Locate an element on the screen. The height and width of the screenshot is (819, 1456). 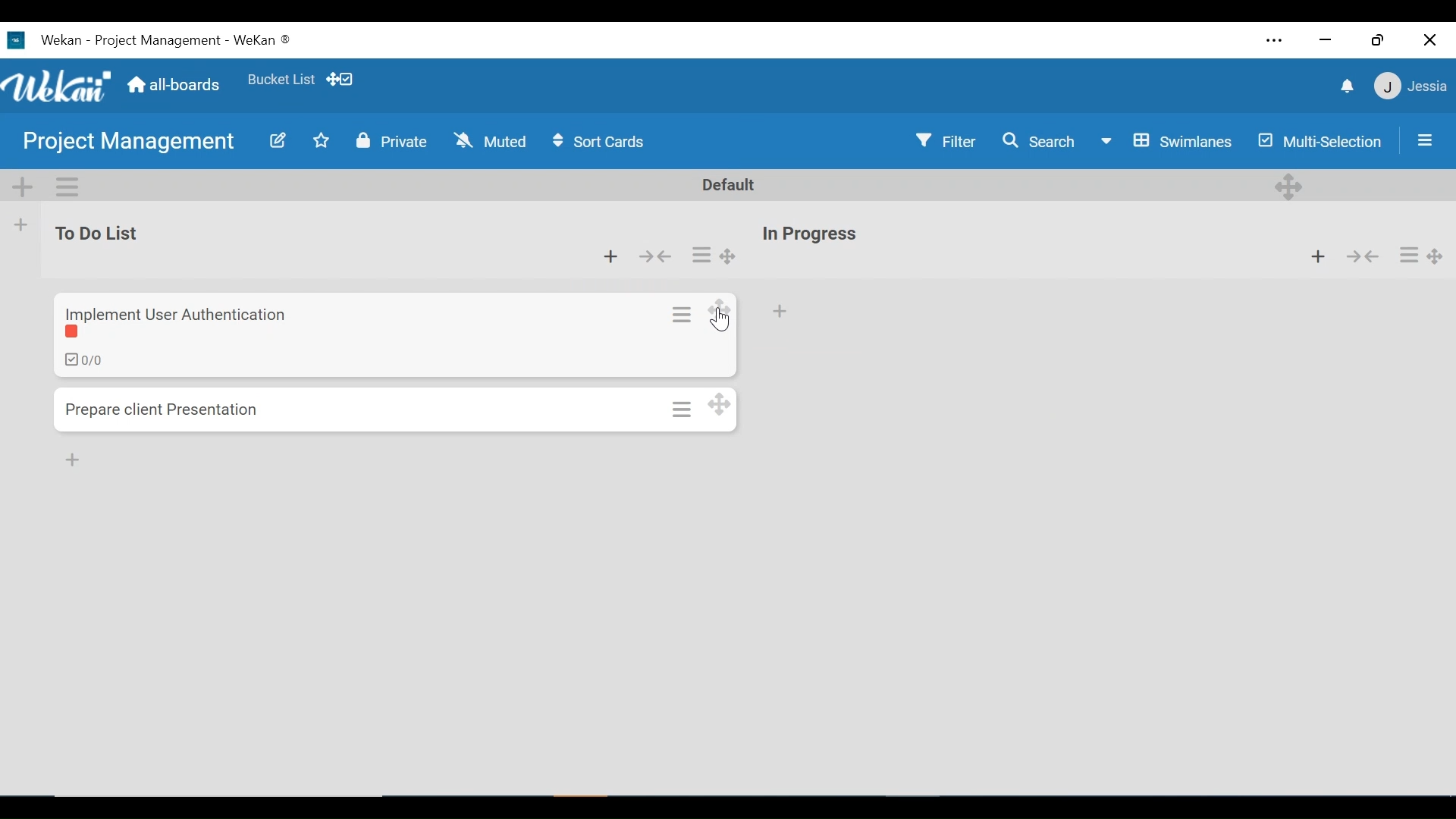
Card actions is located at coordinates (682, 408).